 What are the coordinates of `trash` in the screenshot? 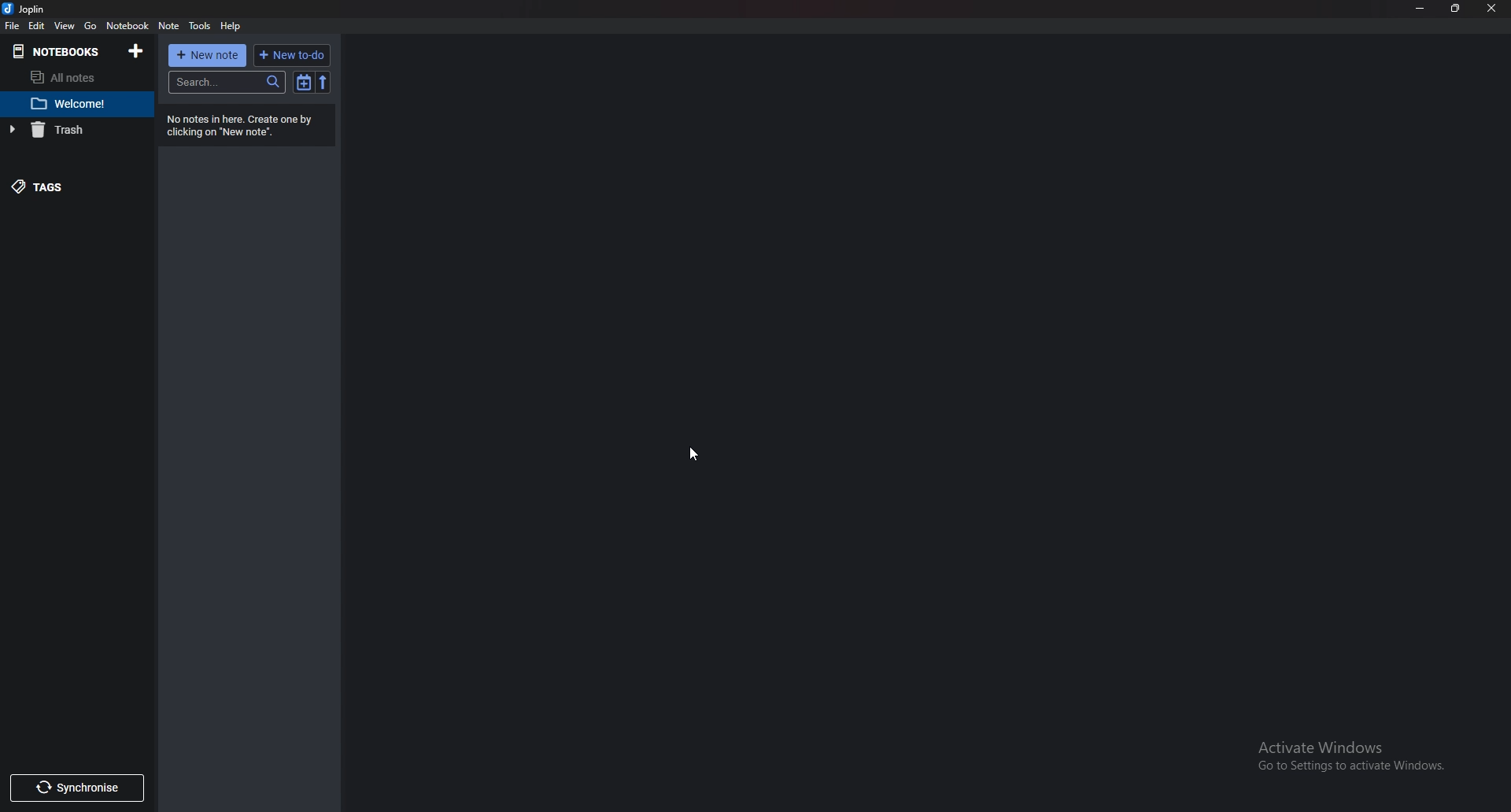 It's located at (78, 131).